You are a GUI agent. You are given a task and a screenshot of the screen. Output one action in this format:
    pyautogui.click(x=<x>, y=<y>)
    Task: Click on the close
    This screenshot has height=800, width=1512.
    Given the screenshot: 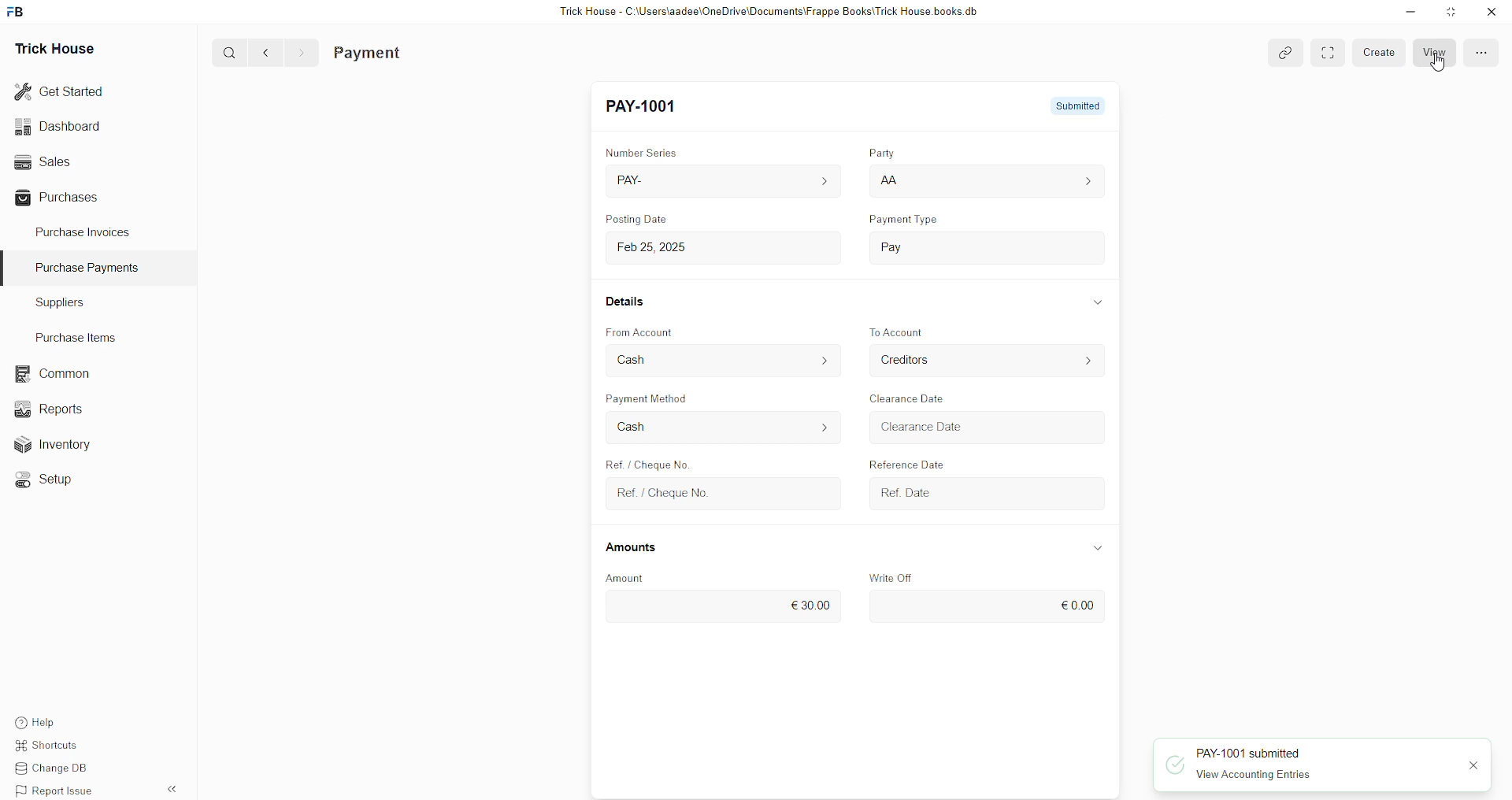 What is the action you would take?
    pyautogui.click(x=1492, y=12)
    